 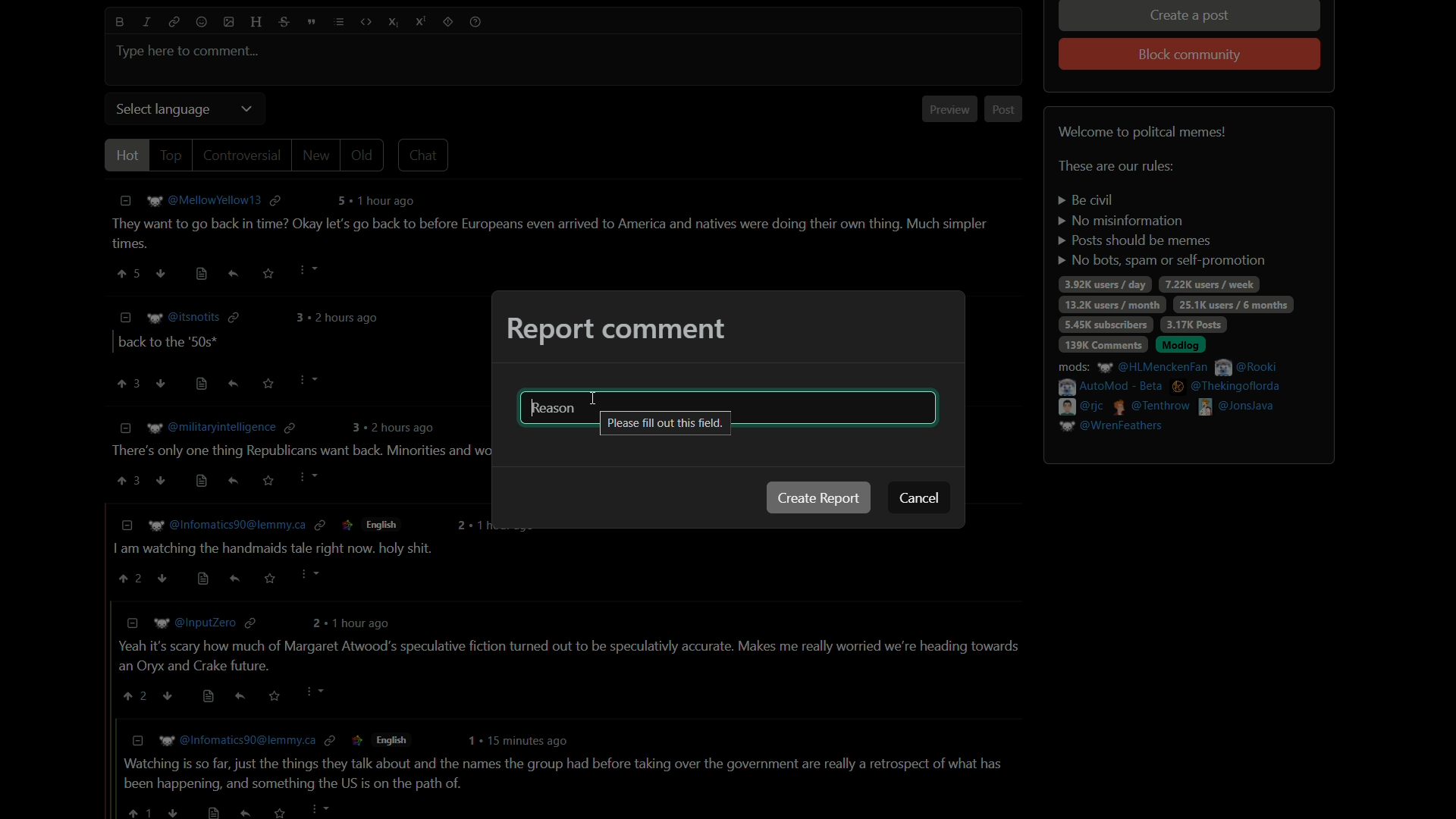 What do you see at coordinates (950, 109) in the screenshot?
I see `preview` at bounding box center [950, 109].